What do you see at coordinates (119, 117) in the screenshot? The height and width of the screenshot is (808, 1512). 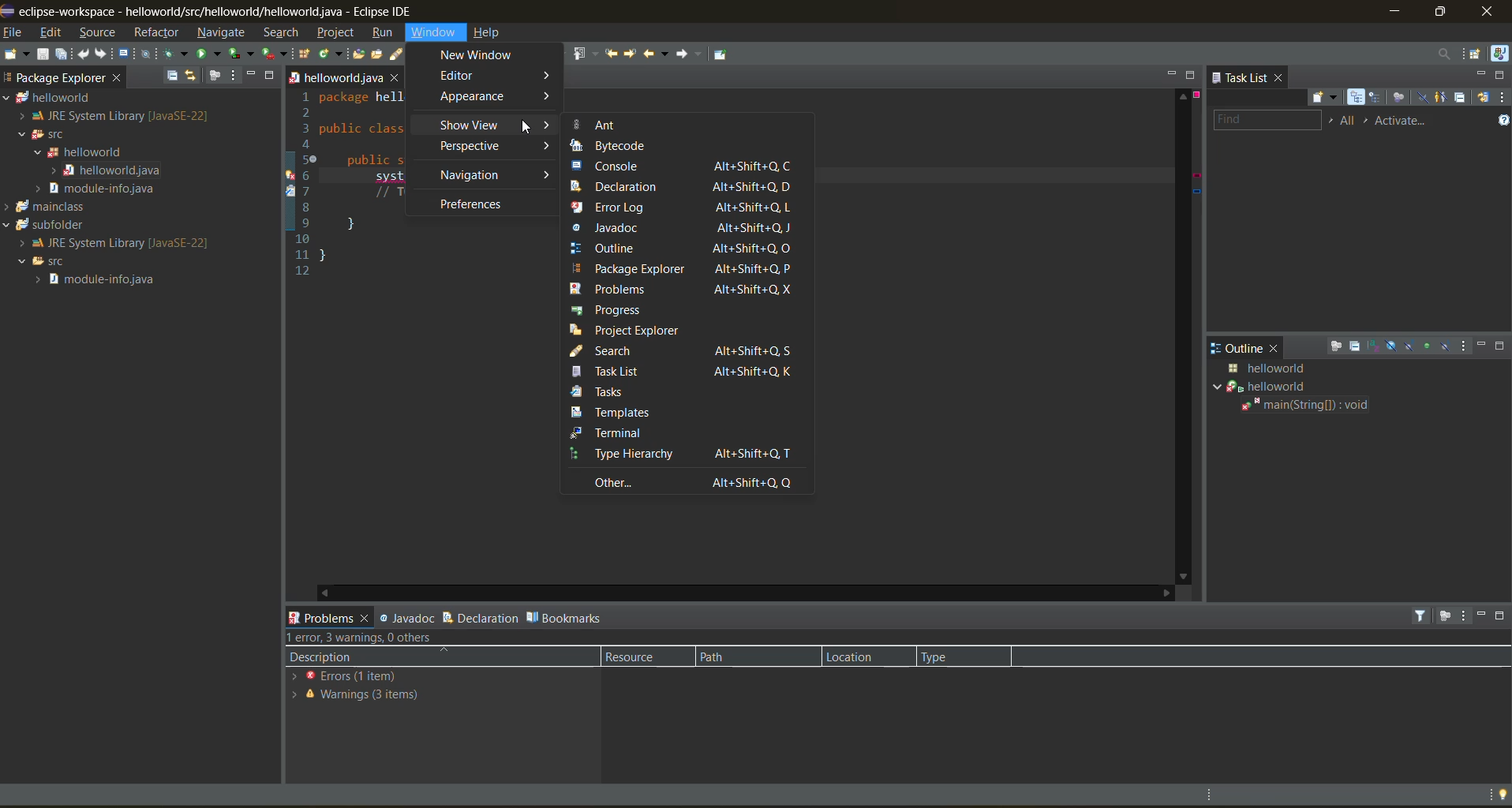 I see `JRE System Library [Java SE-22]` at bounding box center [119, 117].